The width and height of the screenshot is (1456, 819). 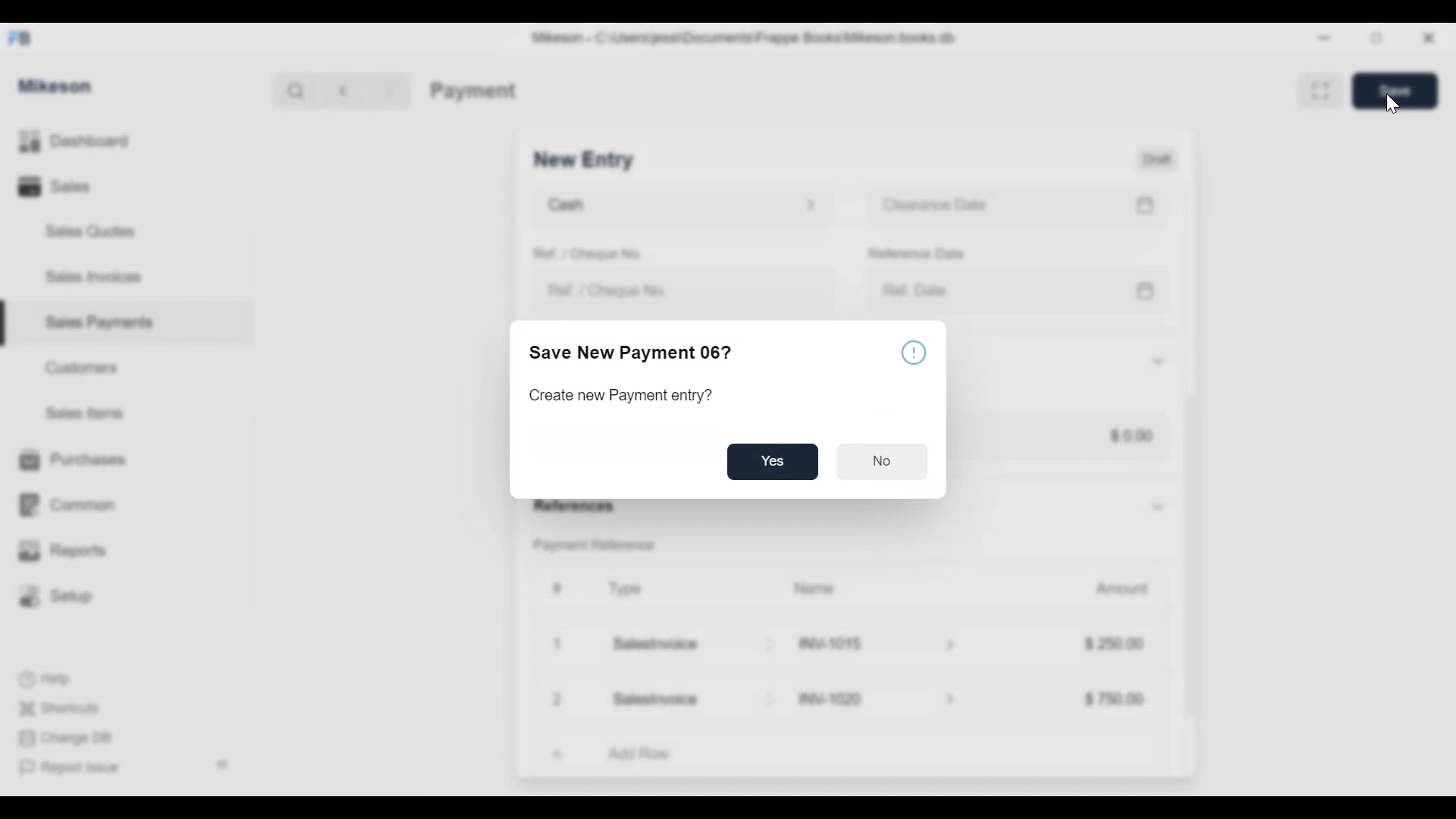 What do you see at coordinates (915, 351) in the screenshot?
I see `icon` at bounding box center [915, 351].